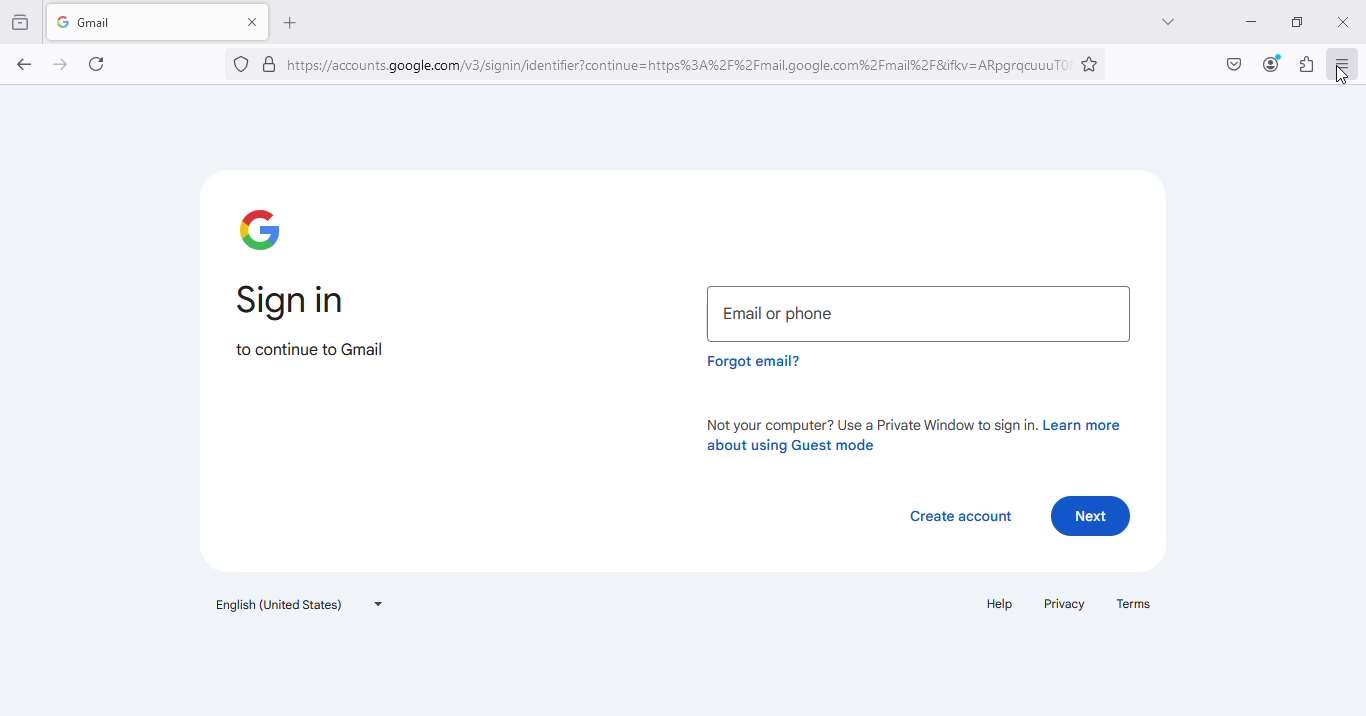 The width and height of the screenshot is (1366, 716). I want to click on privacy, so click(1065, 604).